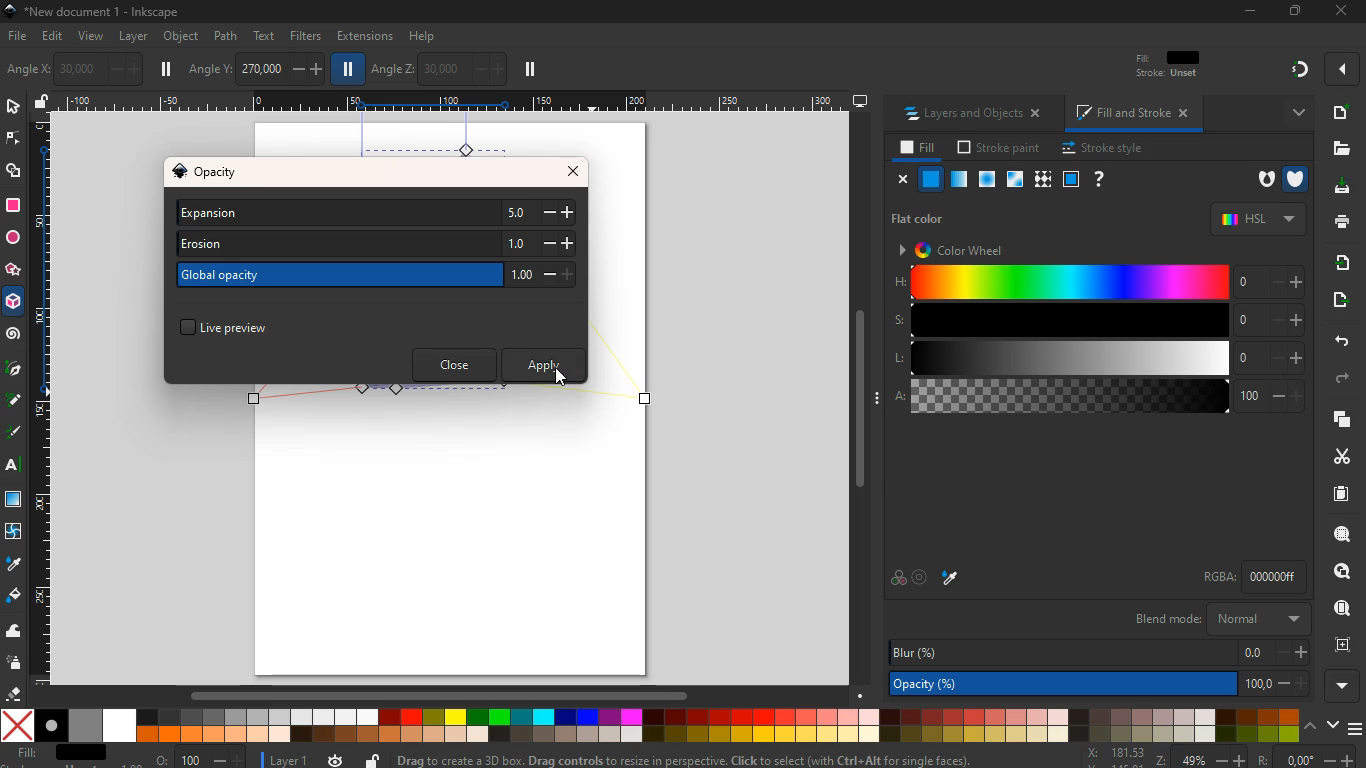 This screenshot has width=1366, height=768. What do you see at coordinates (1339, 12) in the screenshot?
I see `close` at bounding box center [1339, 12].